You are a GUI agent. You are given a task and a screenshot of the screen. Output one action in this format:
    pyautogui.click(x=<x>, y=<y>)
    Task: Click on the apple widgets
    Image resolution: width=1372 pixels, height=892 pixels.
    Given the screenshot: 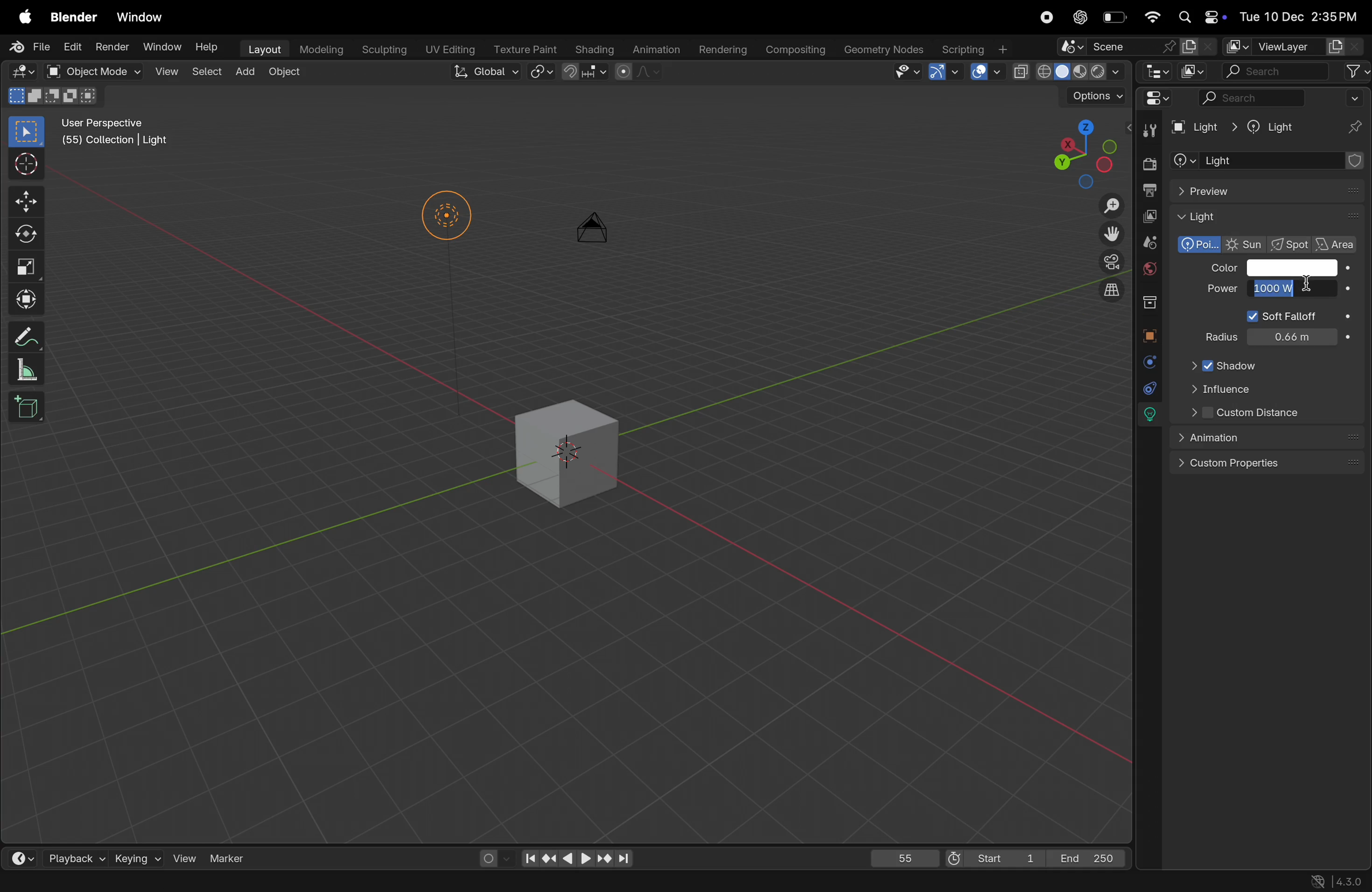 What is the action you would take?
    pyautogui.click(x=1199, y=16)
    